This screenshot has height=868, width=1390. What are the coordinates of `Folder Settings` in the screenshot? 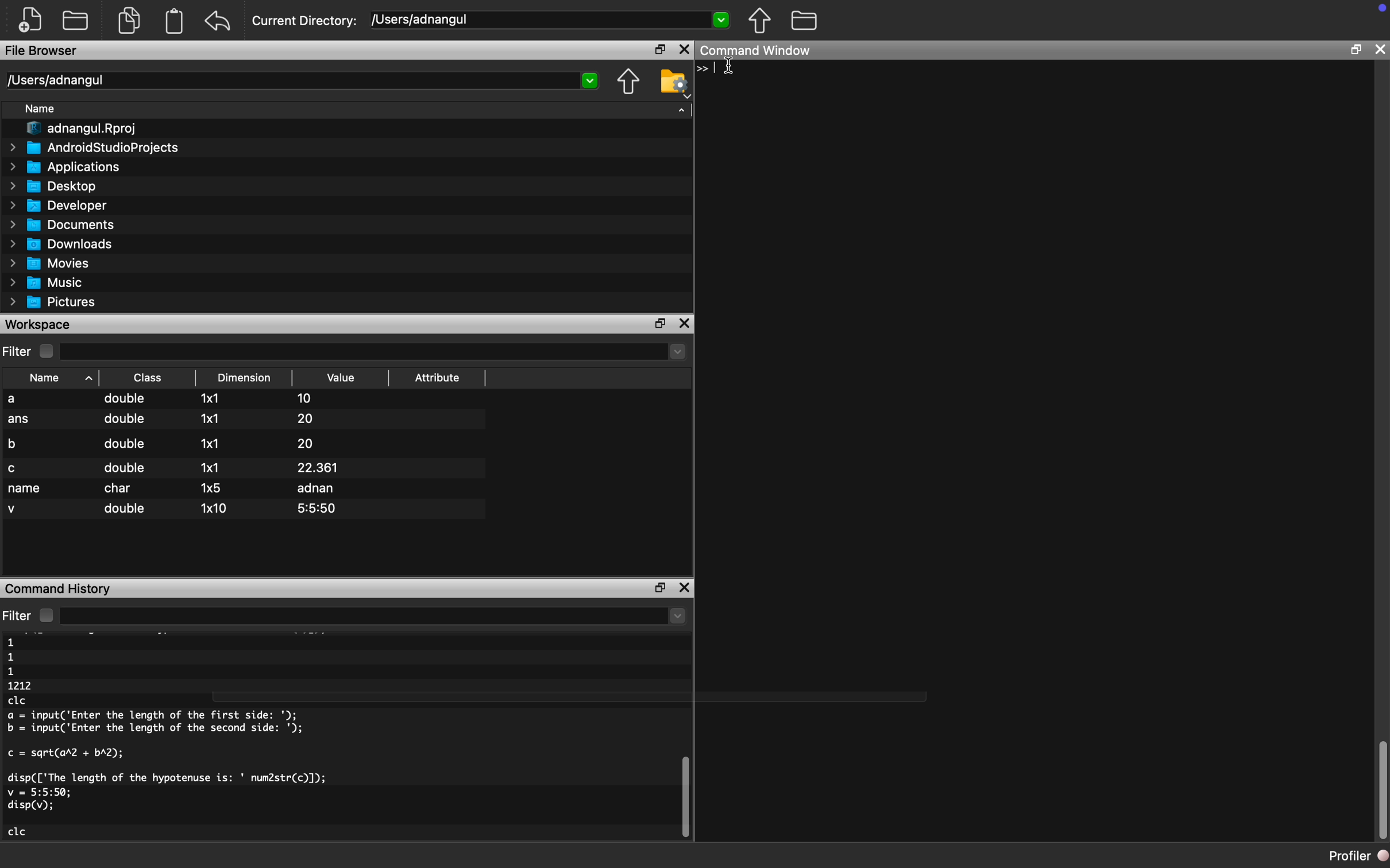 It's located at (674, 83).